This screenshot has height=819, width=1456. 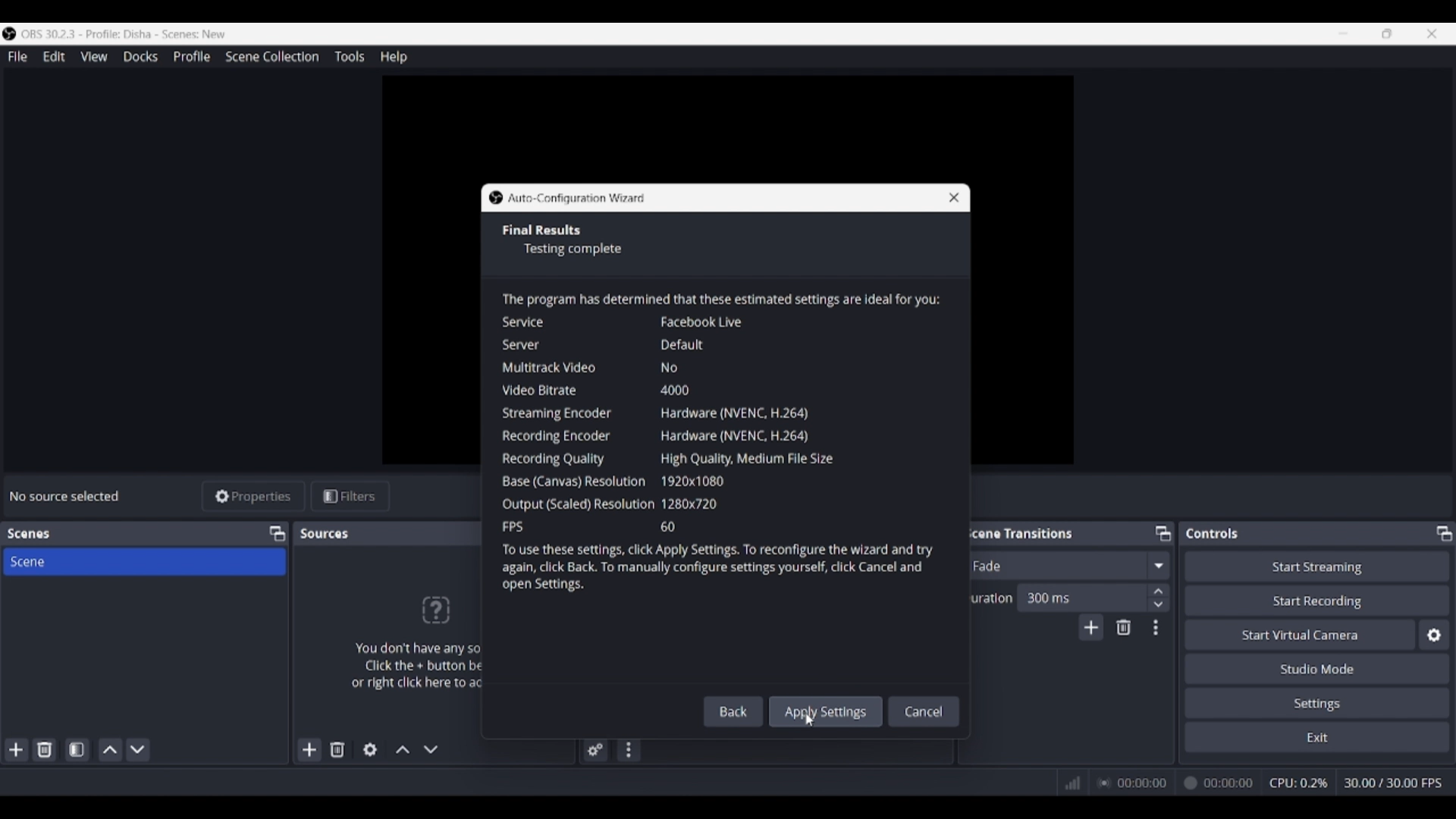 I want to click on Move source down, so click(x=431, y=749).